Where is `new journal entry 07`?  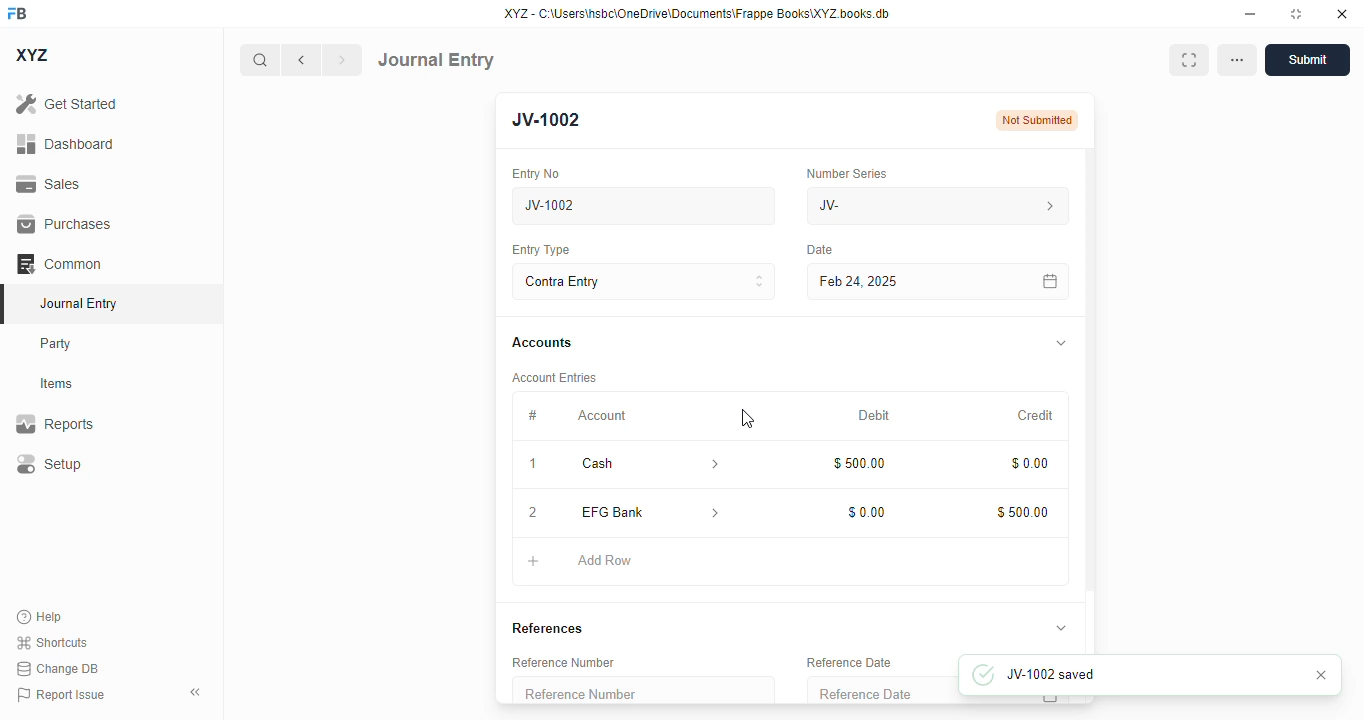 new journal entry 07 is located at coordinates (645, 205).